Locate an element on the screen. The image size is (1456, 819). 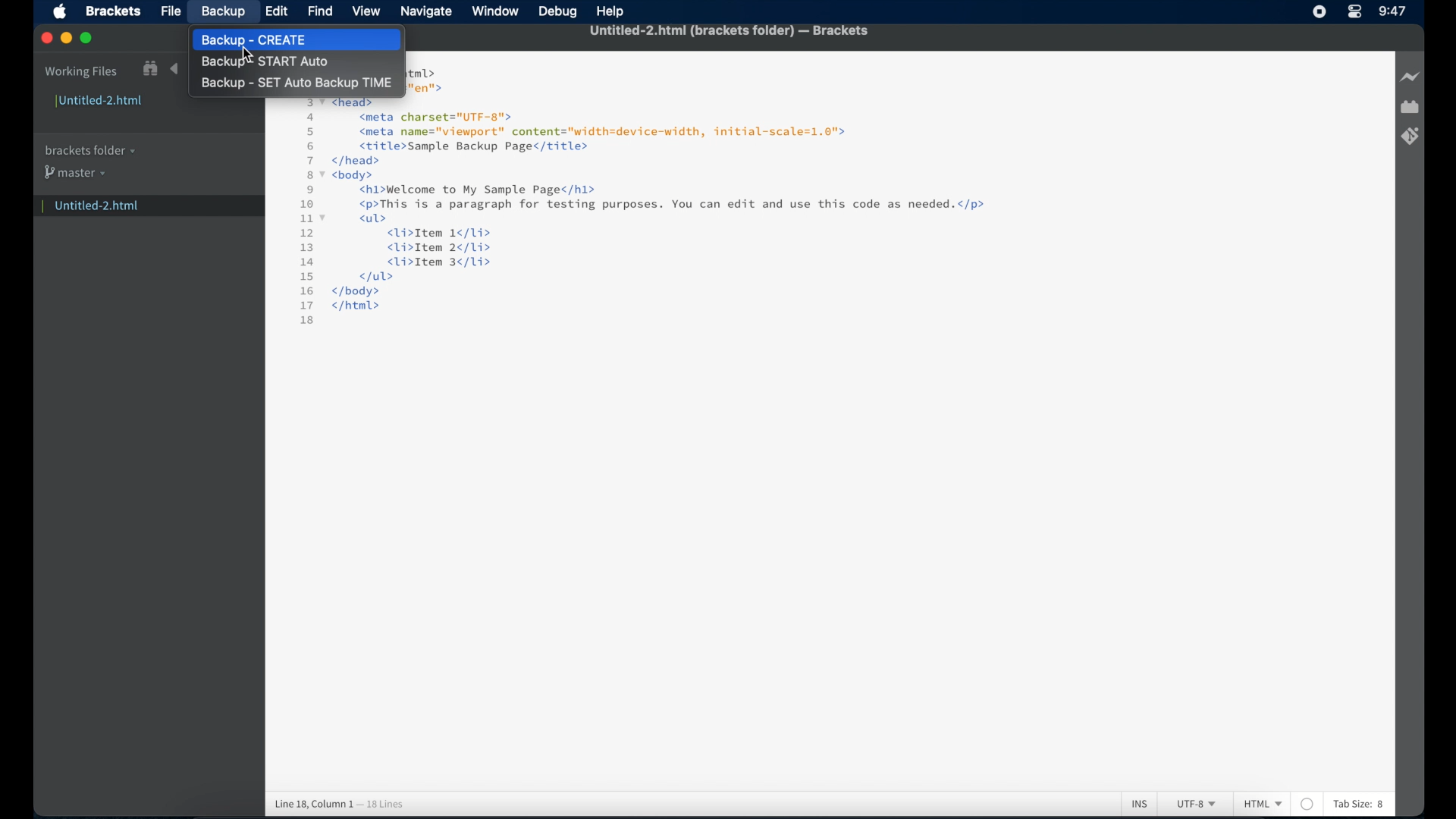
no linter available for HTML is located at coordinates (1307, 804).